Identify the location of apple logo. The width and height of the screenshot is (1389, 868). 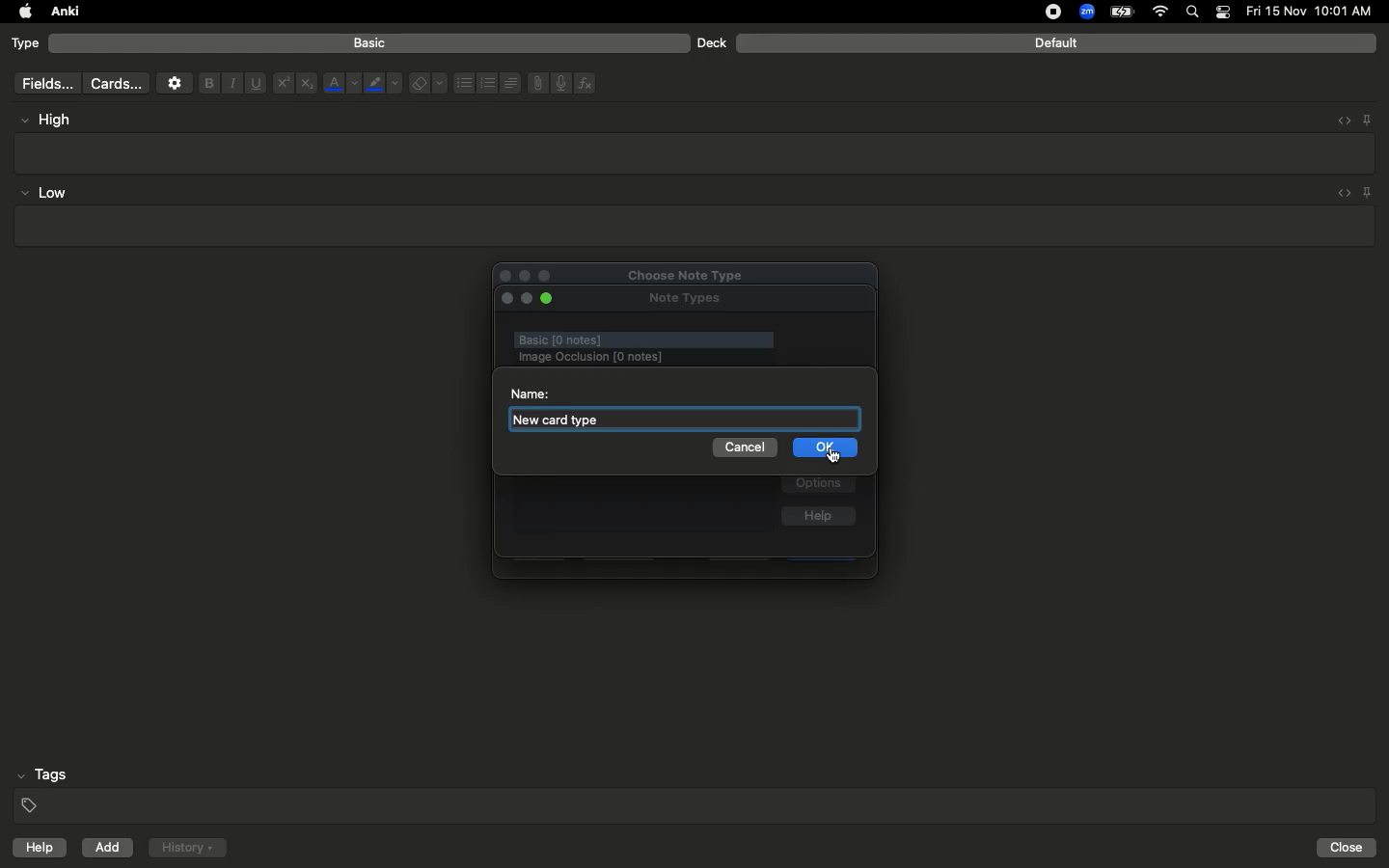
(20, 12).